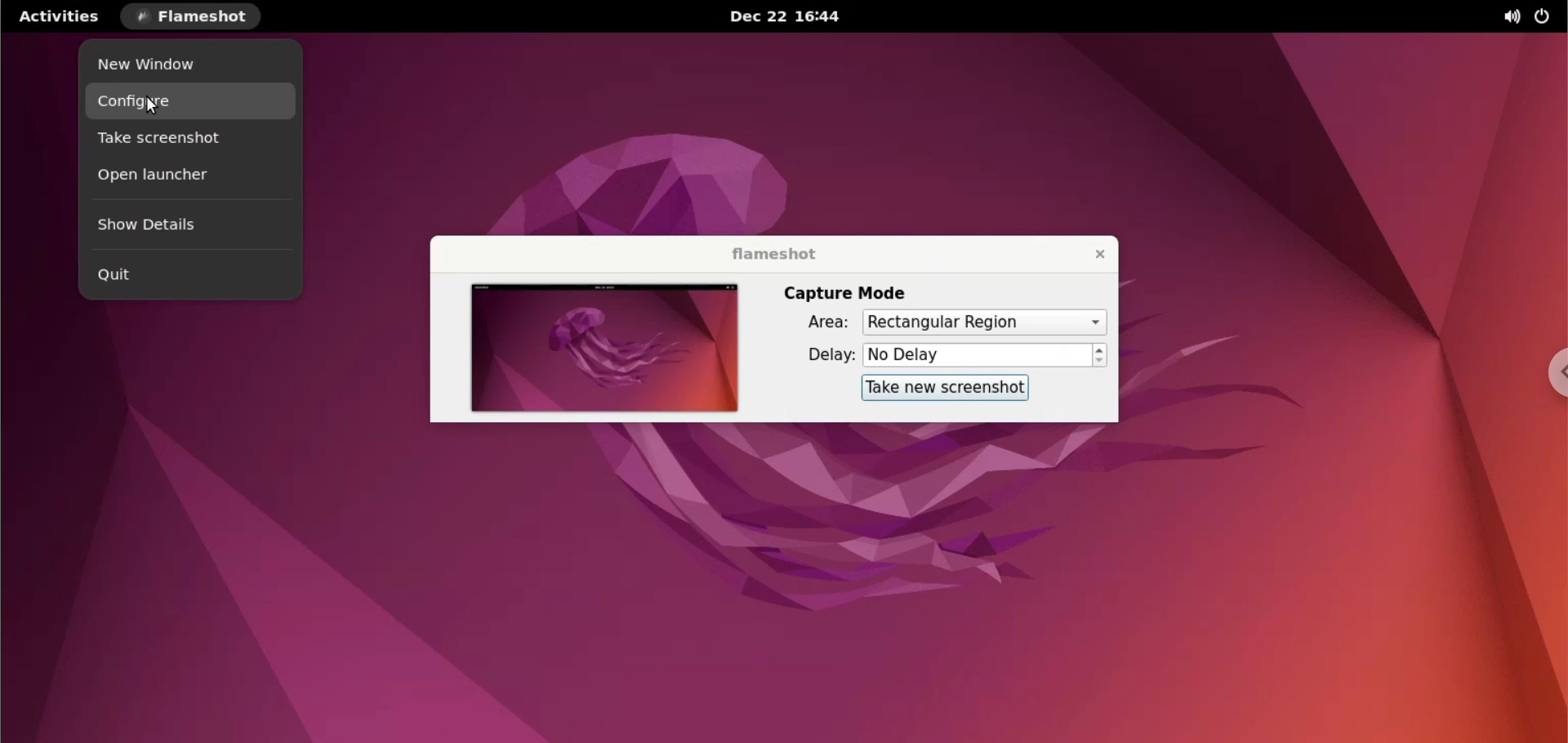 The image size is (1568, 743). I want to click on close, so click(1094, 253).